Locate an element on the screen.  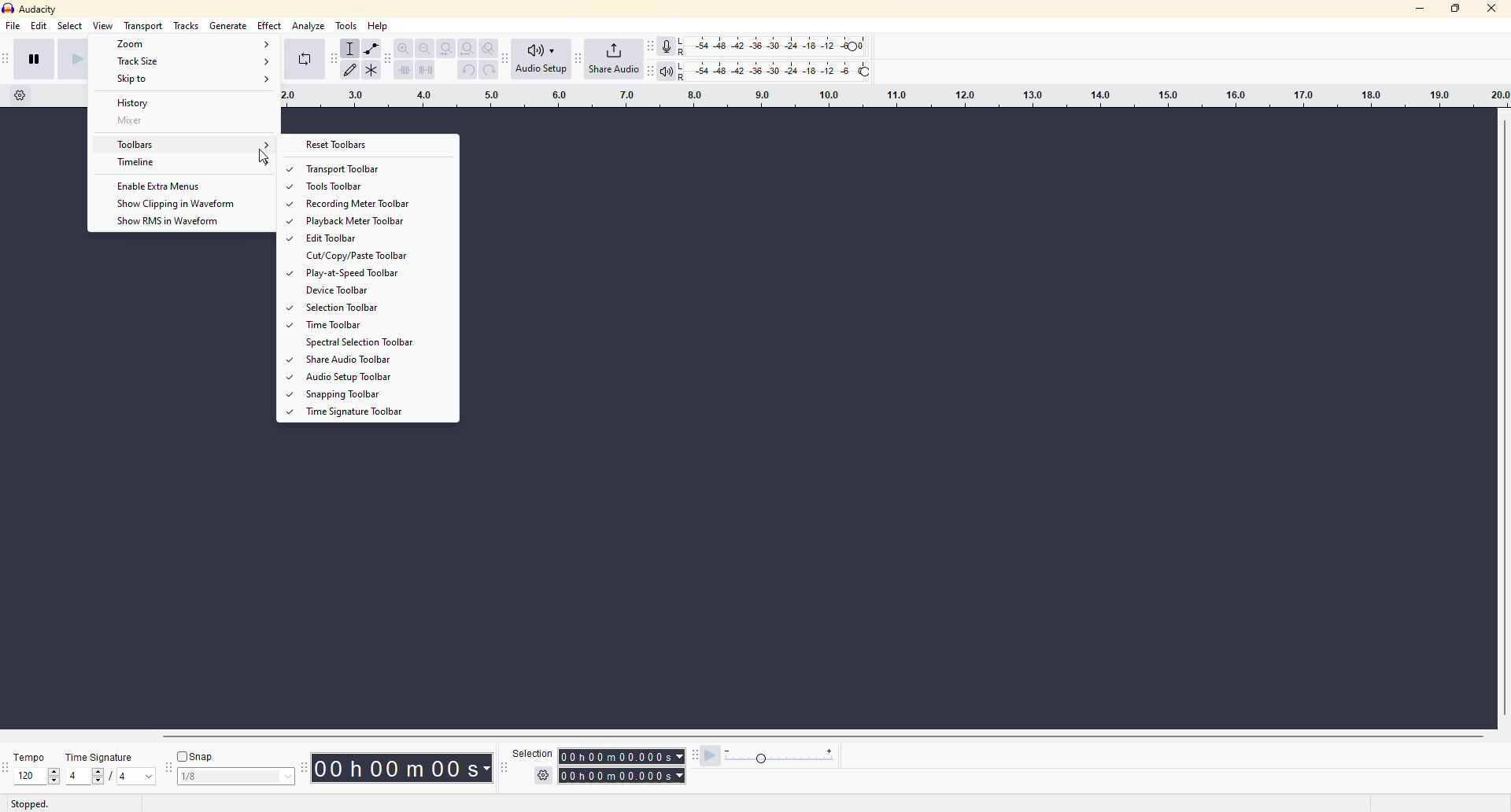
drop down is located at coordinates (289, 777).